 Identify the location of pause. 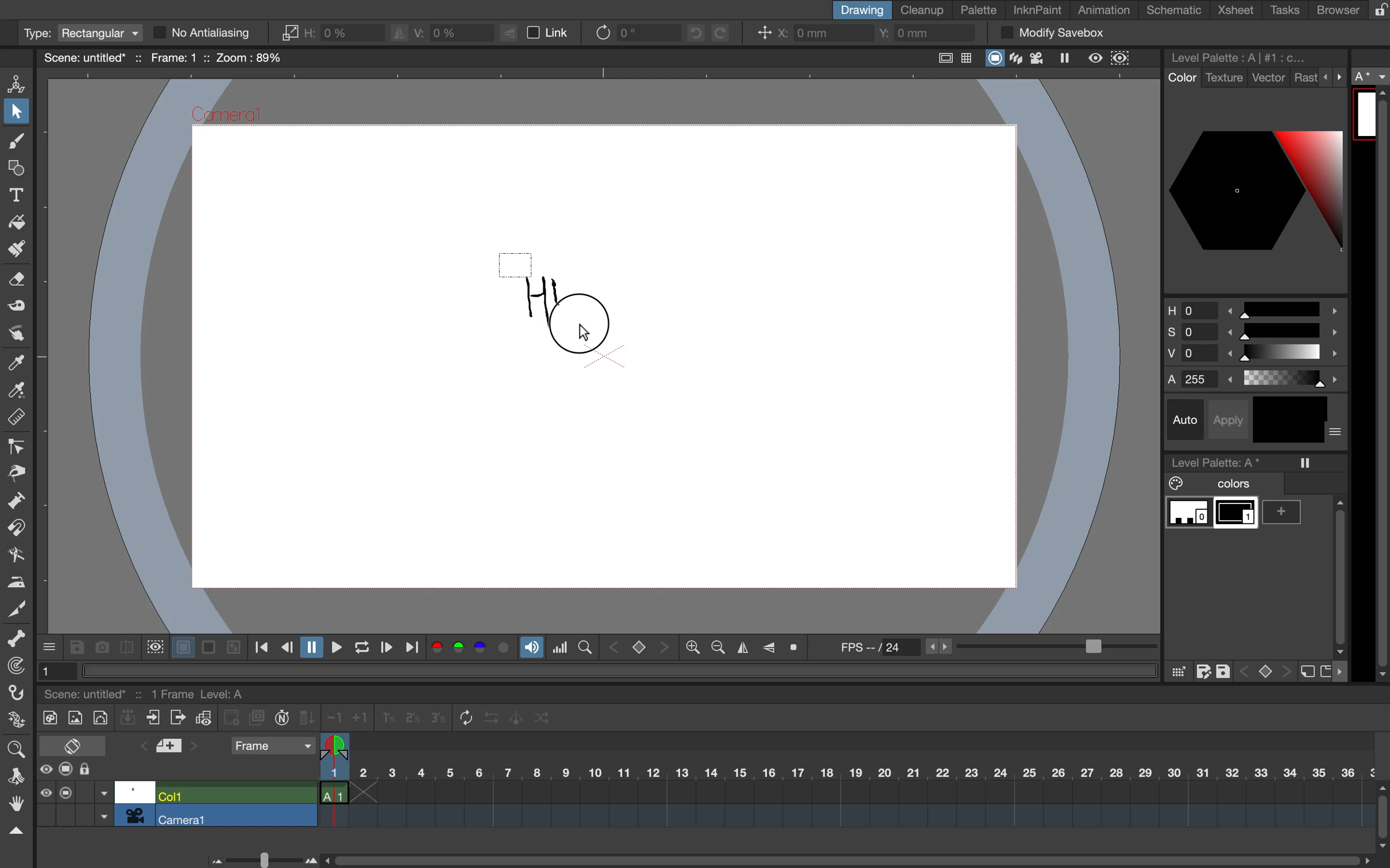
(310, 648).